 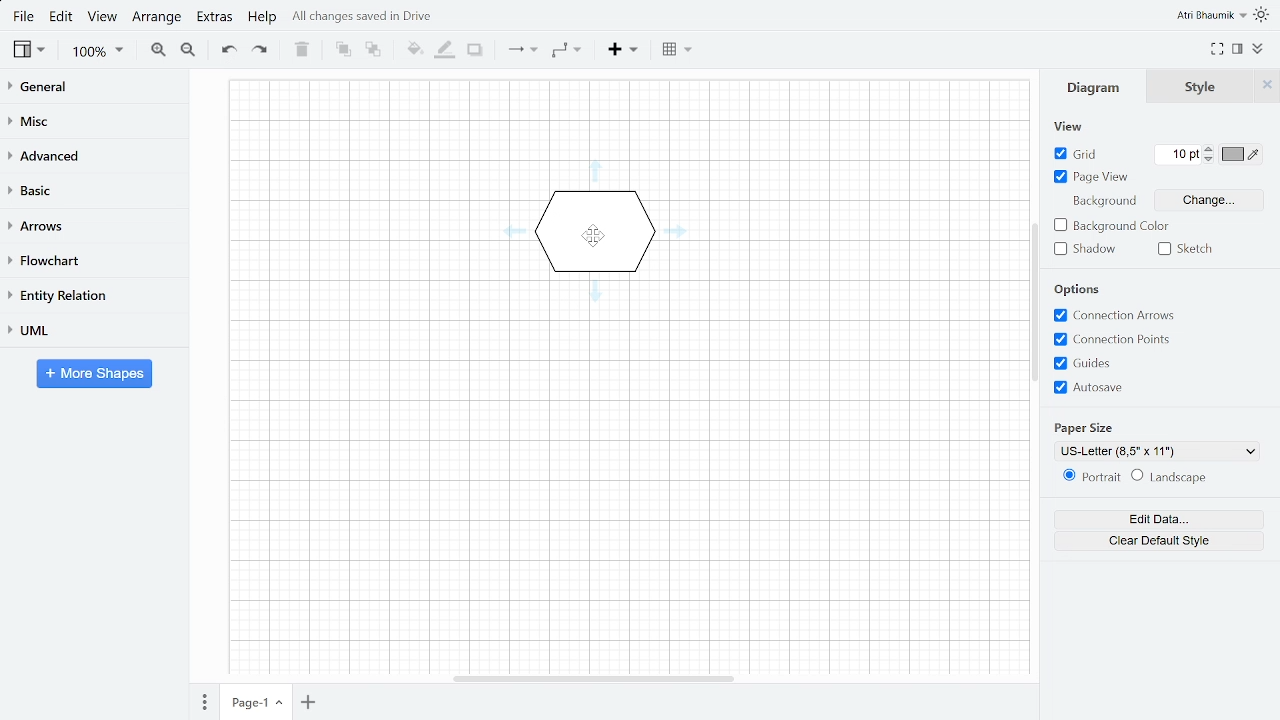 What do you see at coordinates (1208, 149) in the screenshot?
I see `Increase grid point` at bounding box center [1208, 149].